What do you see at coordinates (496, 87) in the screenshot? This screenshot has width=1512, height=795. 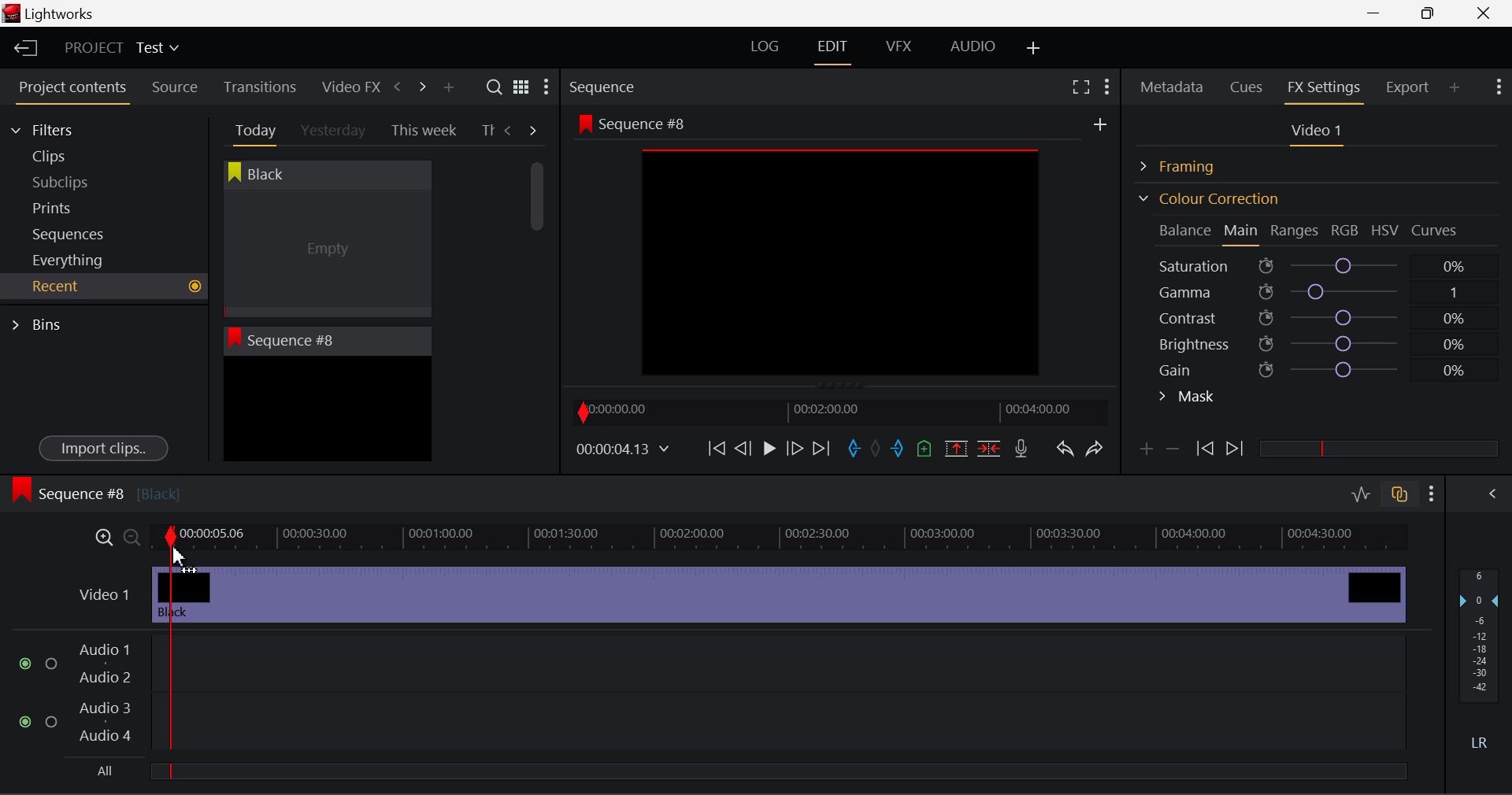 I see `Search` at bounding box center [496, 87].